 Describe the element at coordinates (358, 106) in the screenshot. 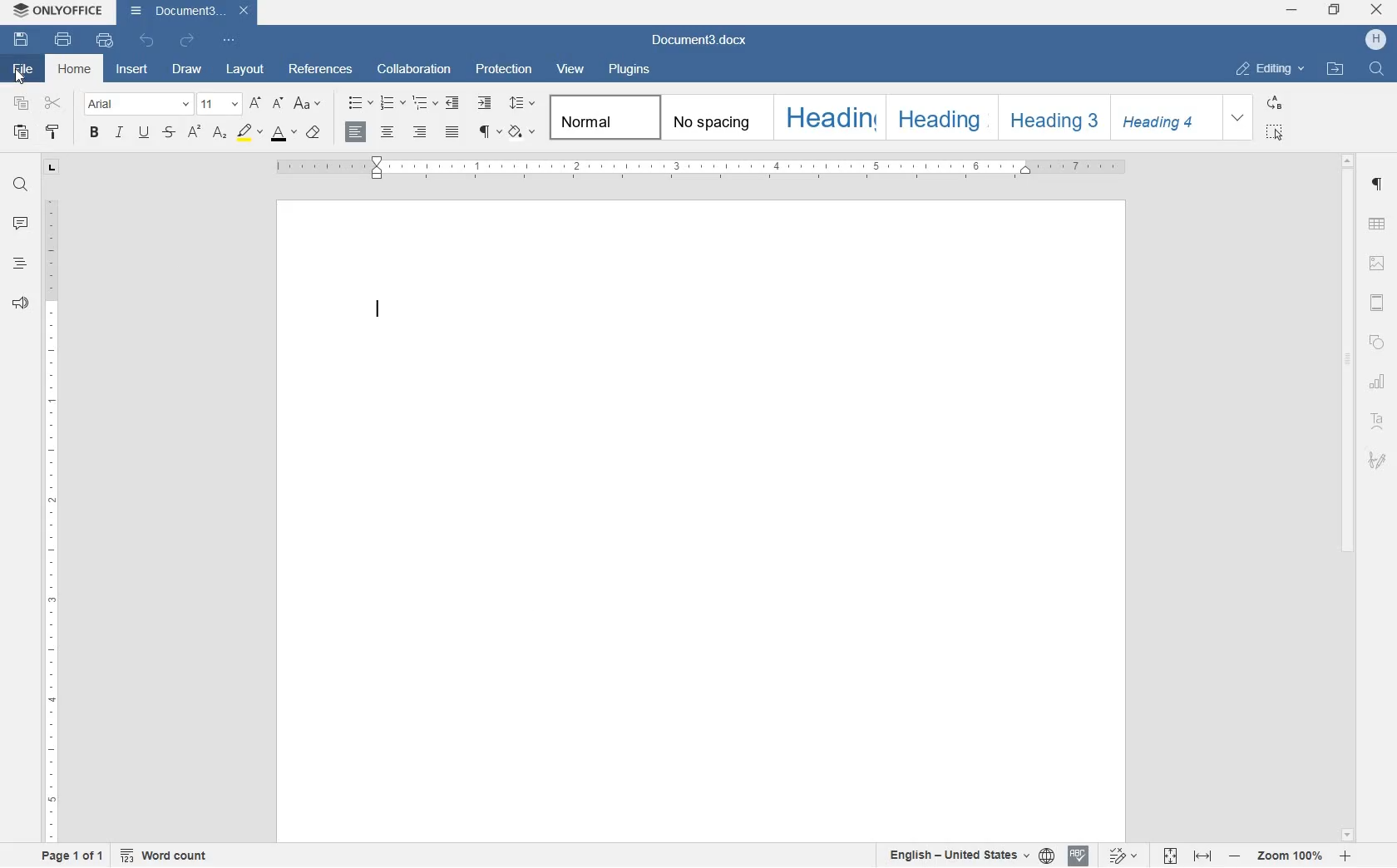

I see `bullets` at that location.